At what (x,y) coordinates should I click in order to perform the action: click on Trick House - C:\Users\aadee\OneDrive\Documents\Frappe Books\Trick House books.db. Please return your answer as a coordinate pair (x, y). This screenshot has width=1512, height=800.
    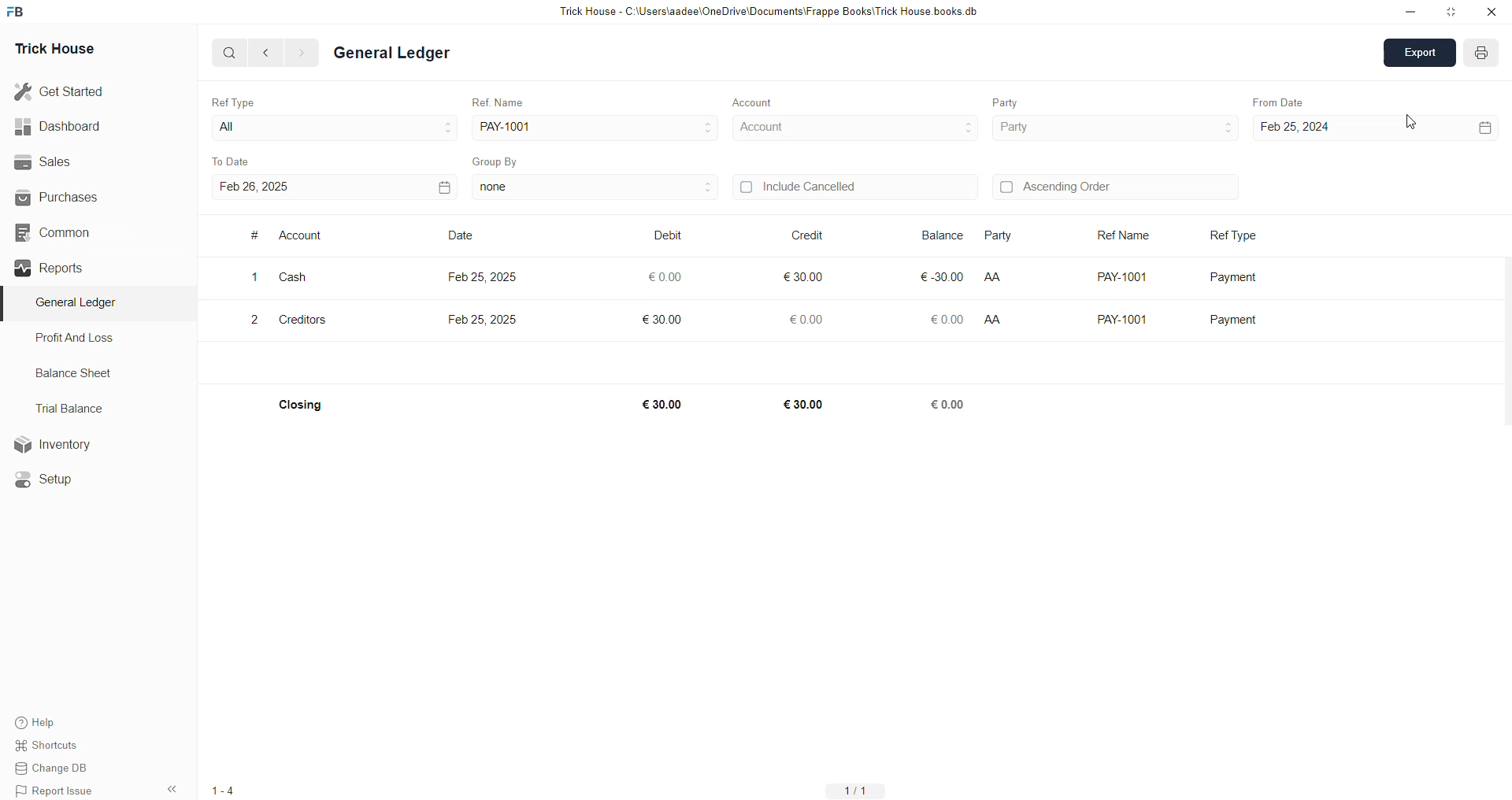
    Looking at the image, I should click on (772, 12).